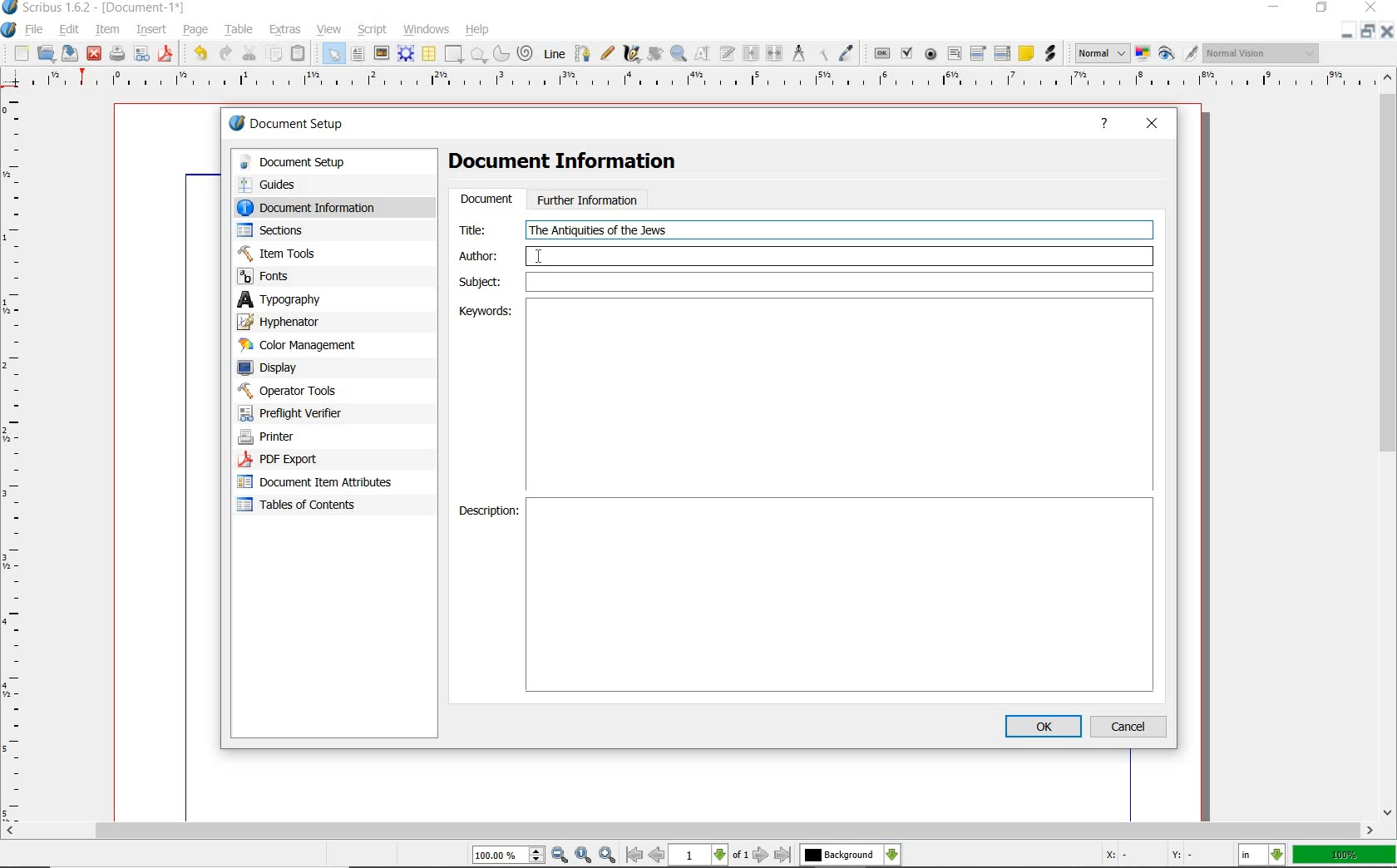 The height and width of the screenshot is (868, 1397). Describe the element at coordinates (689, 831) in the screenshot. I see `scrollbar` at that location.